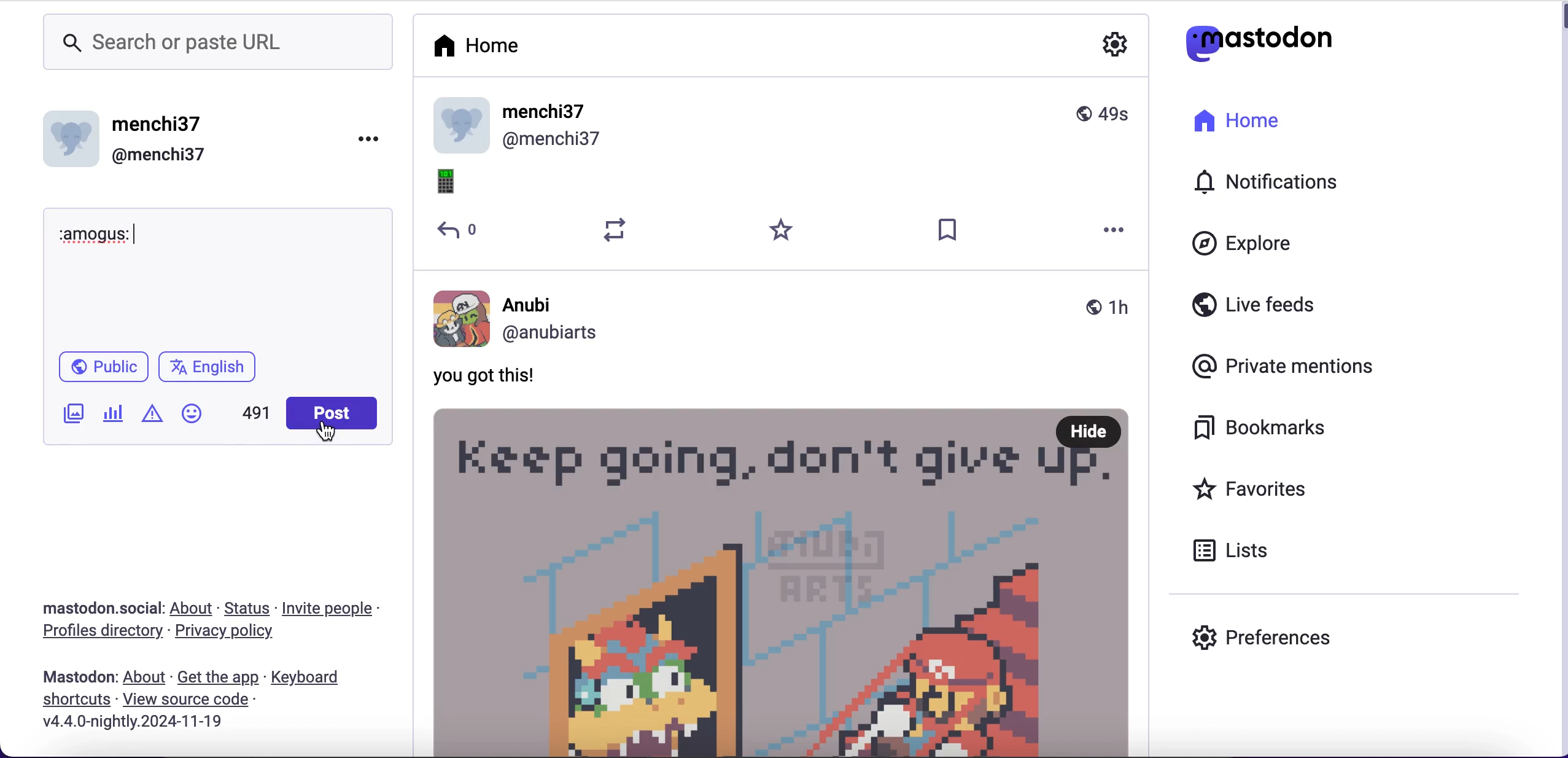 Image resolution: width=1568 pixels, height=758 pixels. Describe the element at coordinates (475, 46) in the screenshot. I see `home` at that location.